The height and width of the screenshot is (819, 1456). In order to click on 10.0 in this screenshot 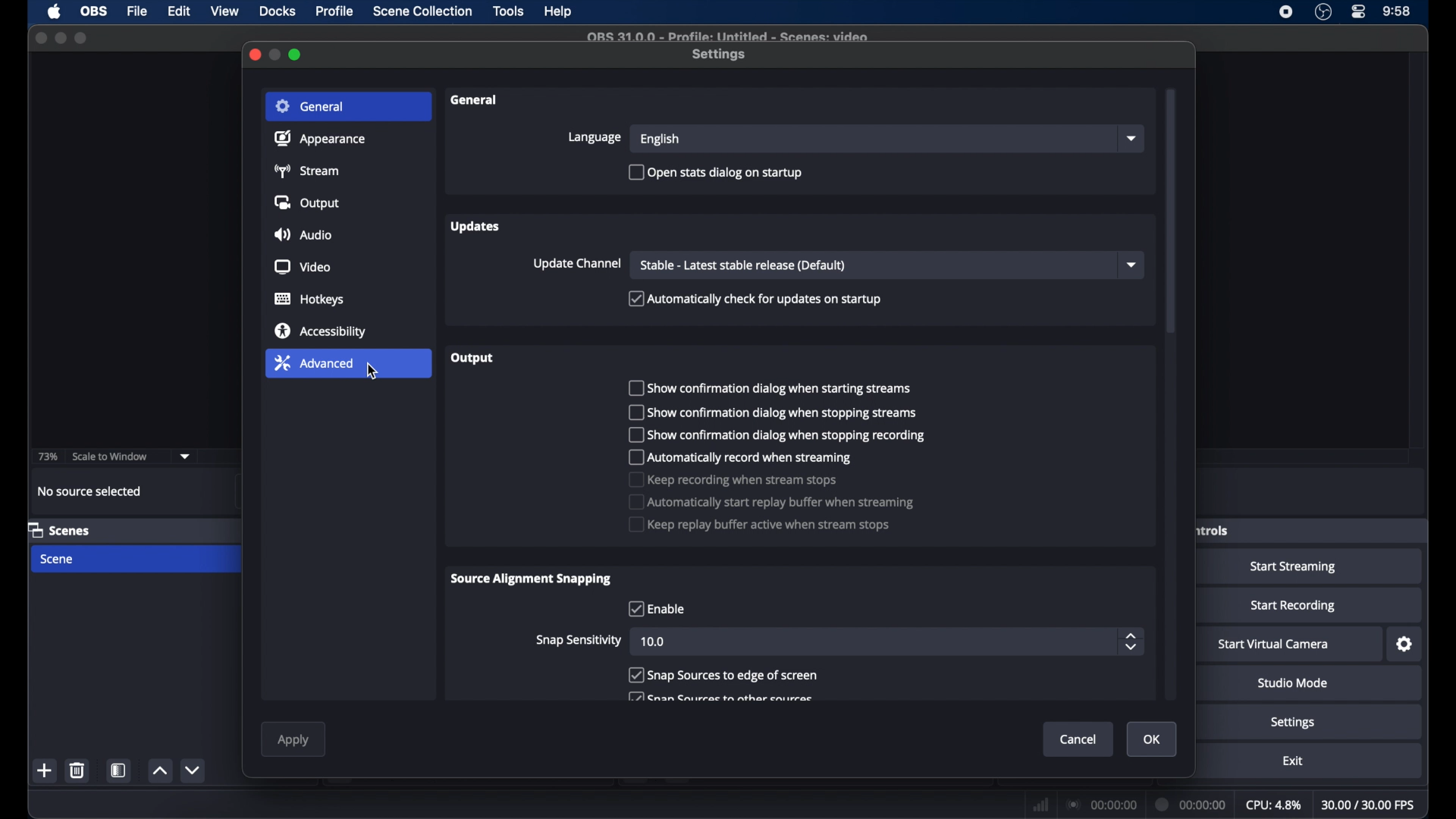, I will do `click(654, 642)`.